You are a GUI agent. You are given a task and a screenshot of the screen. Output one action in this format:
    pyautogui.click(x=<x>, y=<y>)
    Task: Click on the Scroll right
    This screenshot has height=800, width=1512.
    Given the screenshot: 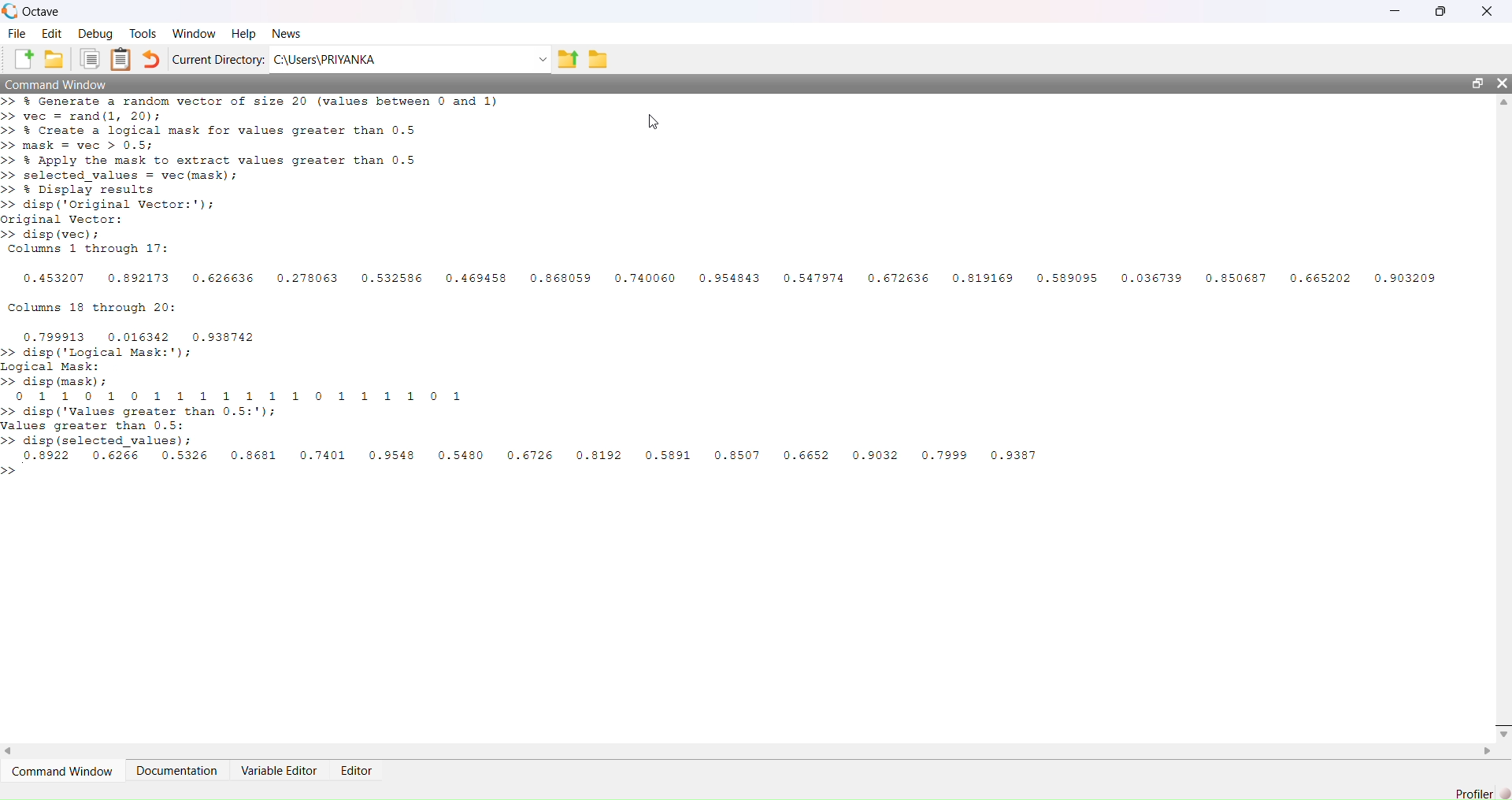 What is the action you would take?
    pyautogui.click(x=1485, y=751)
    